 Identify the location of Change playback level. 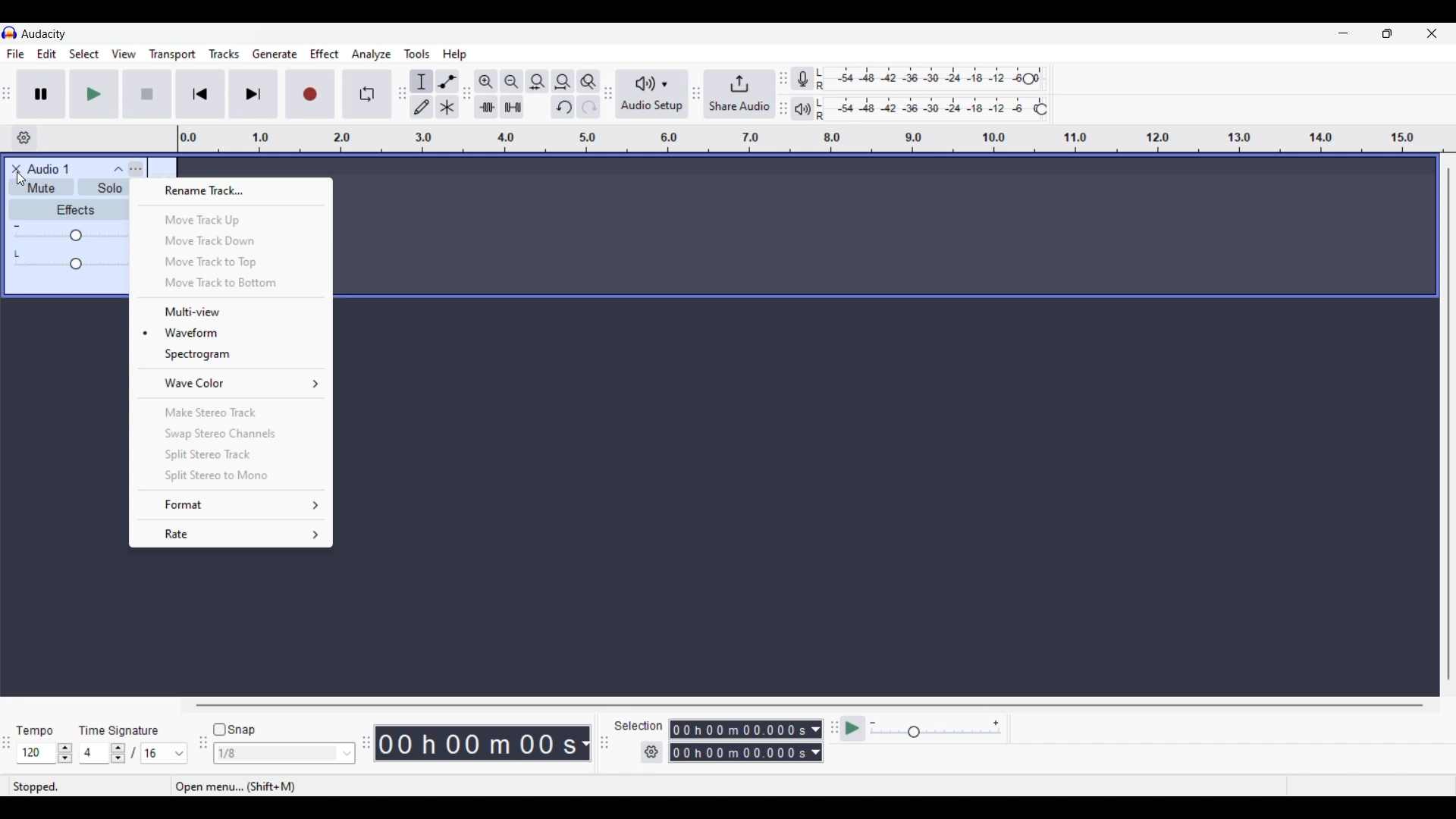
(1041, 110).